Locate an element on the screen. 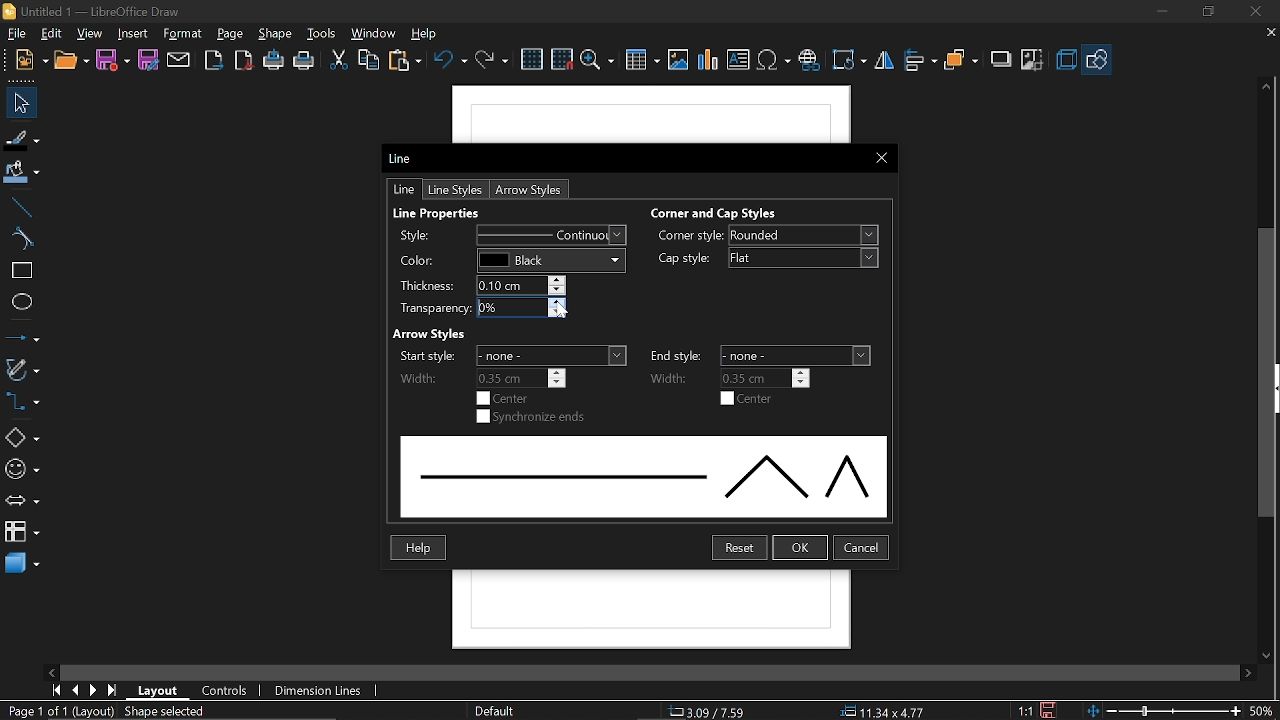 The width and height of the screenshot is (1280, 720). Line style preview is located at coordinates (637, 476).